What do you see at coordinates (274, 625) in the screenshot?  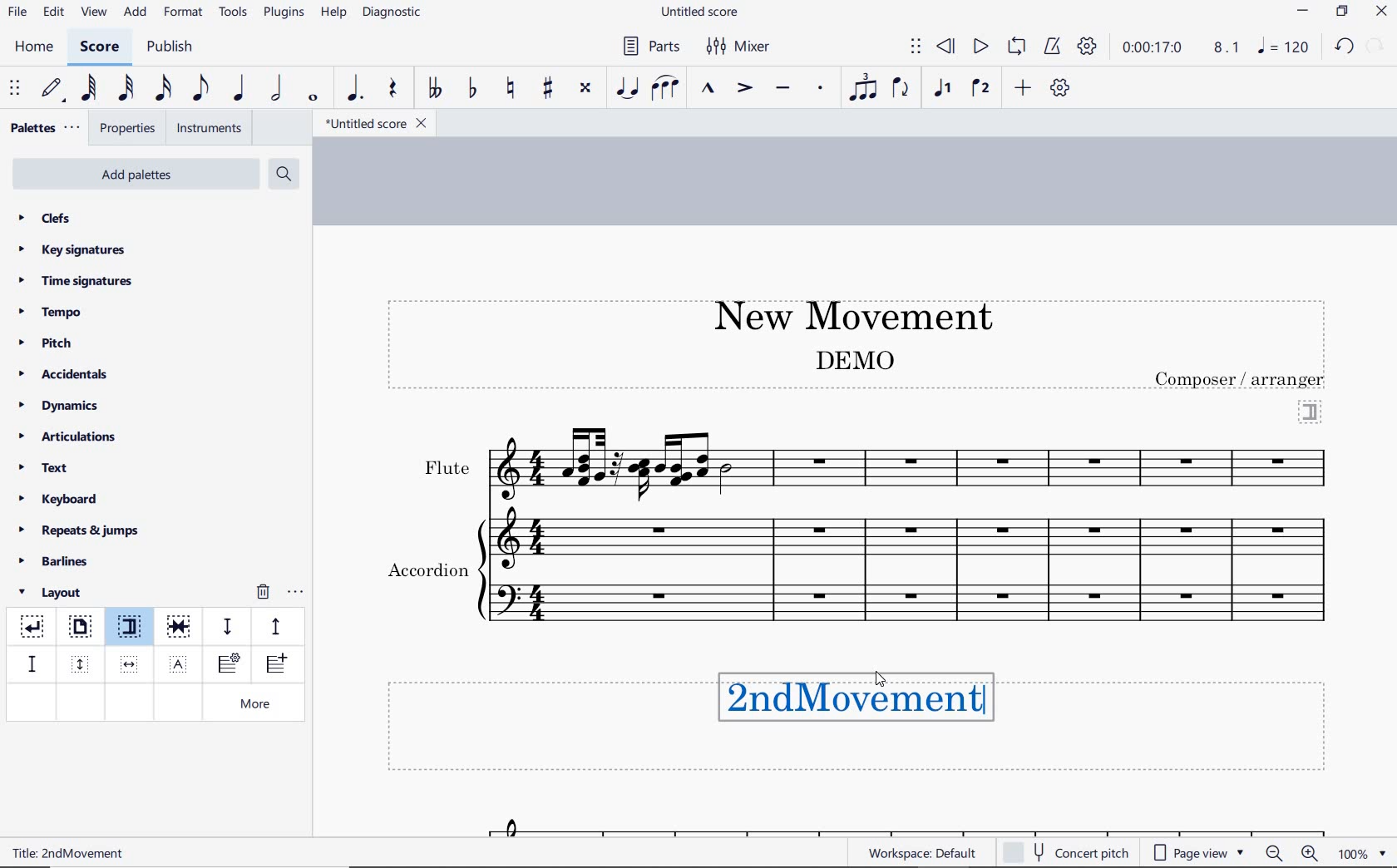 I see `staff pacer` at bounding box center [274, 625].